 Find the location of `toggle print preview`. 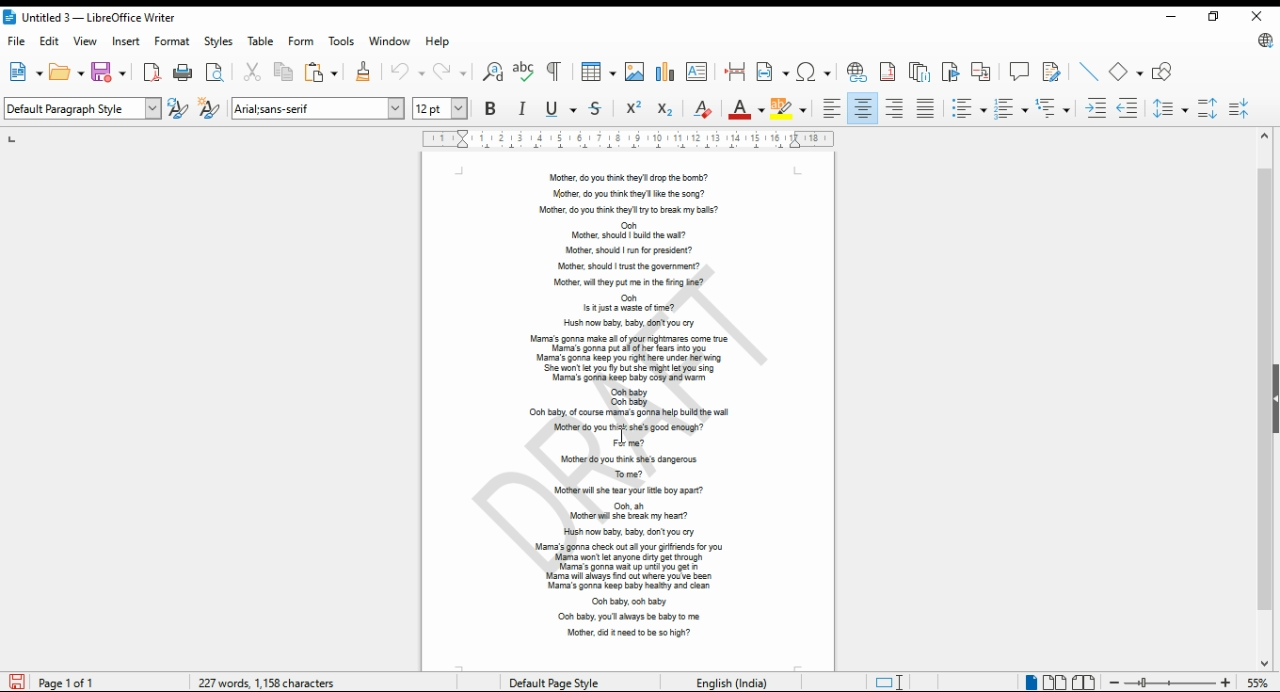

toggle print preview is located at coordinates (217, 72).